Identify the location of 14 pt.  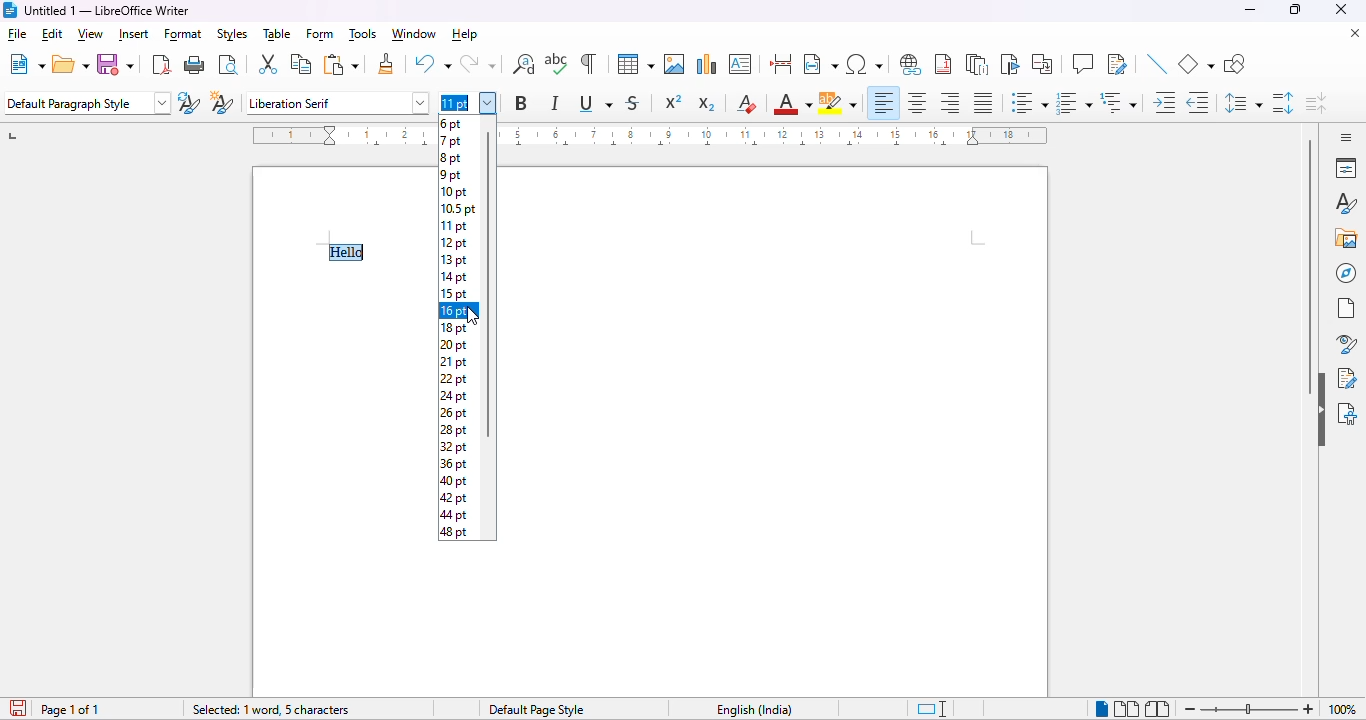
(453, 278).